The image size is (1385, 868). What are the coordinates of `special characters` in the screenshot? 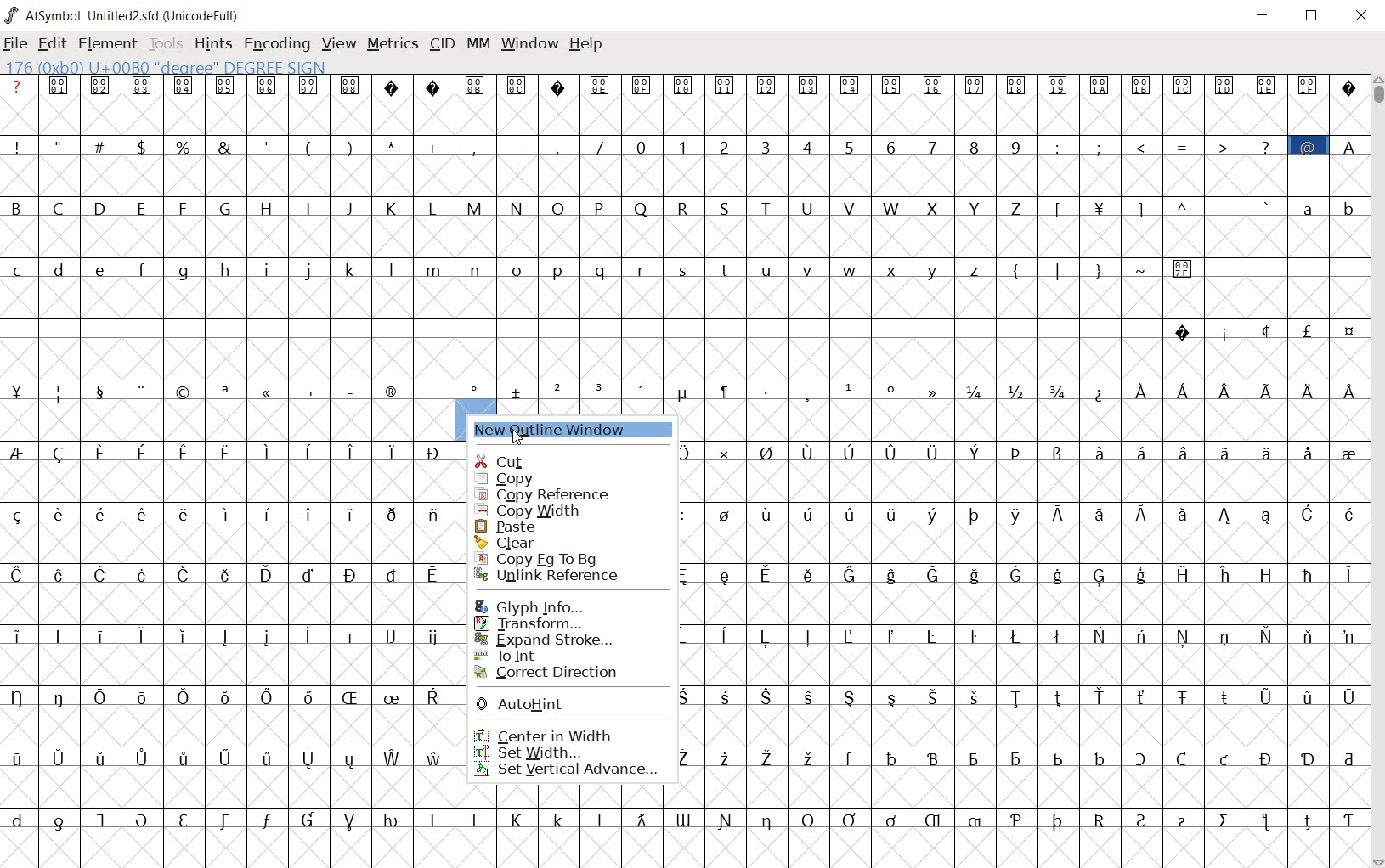 It's located at (1164, 207).